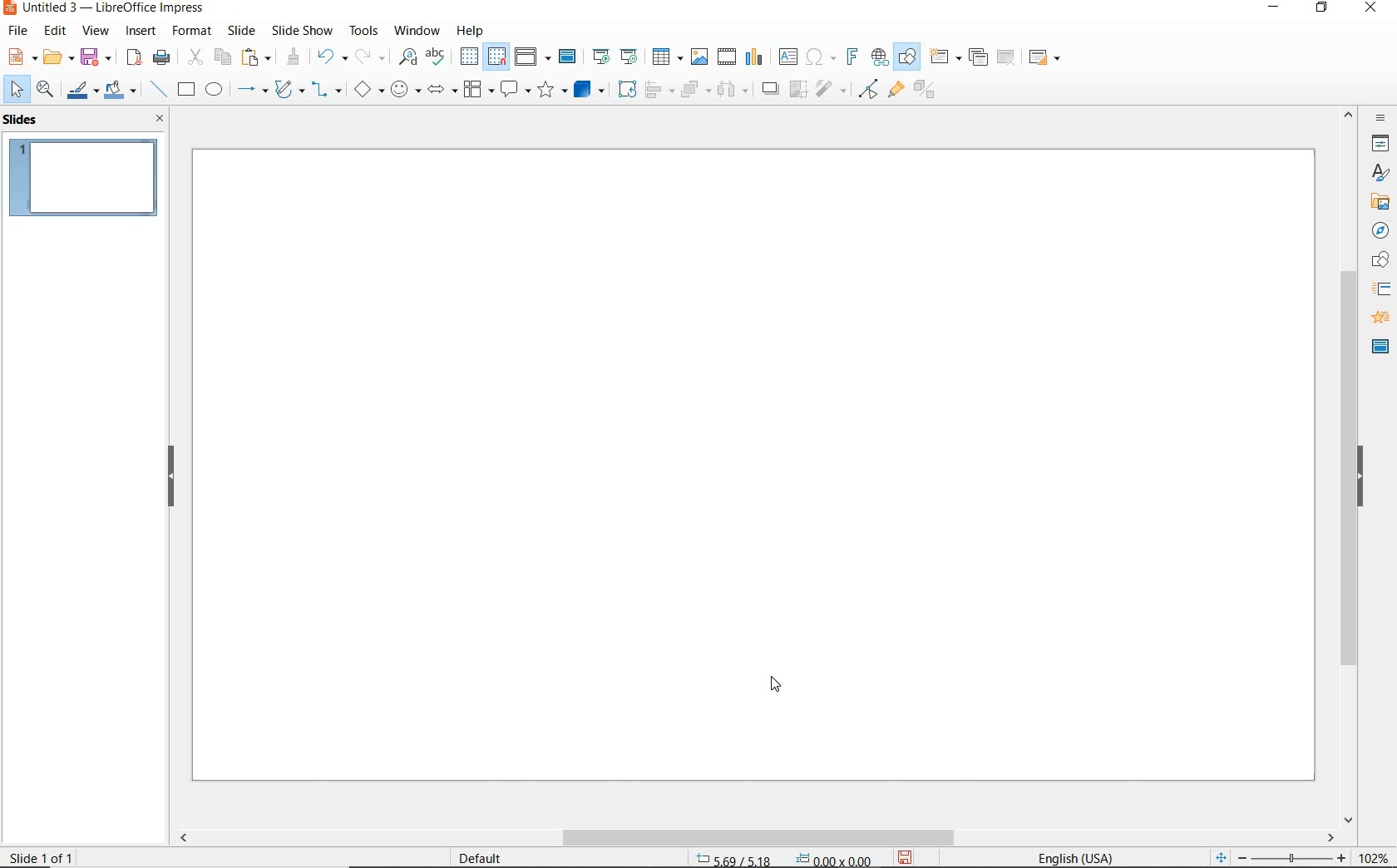 Image resolution: width=1397 pixels, height=868 pixels. What do you see at coordinates (57, 57) in the screenshot?
I see `OPEN` at bounding box center [57, 57].